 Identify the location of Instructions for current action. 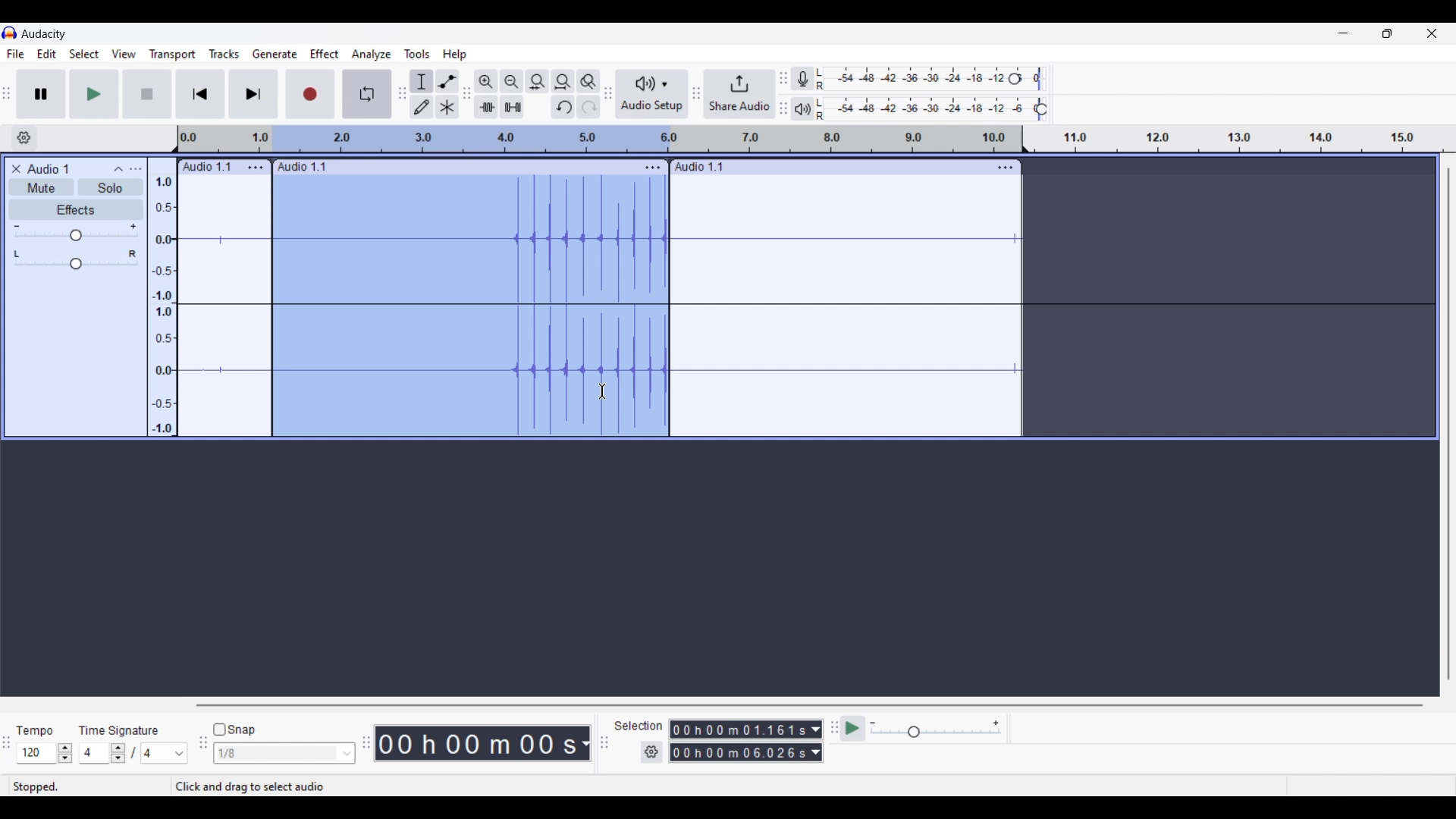
(287, 787).